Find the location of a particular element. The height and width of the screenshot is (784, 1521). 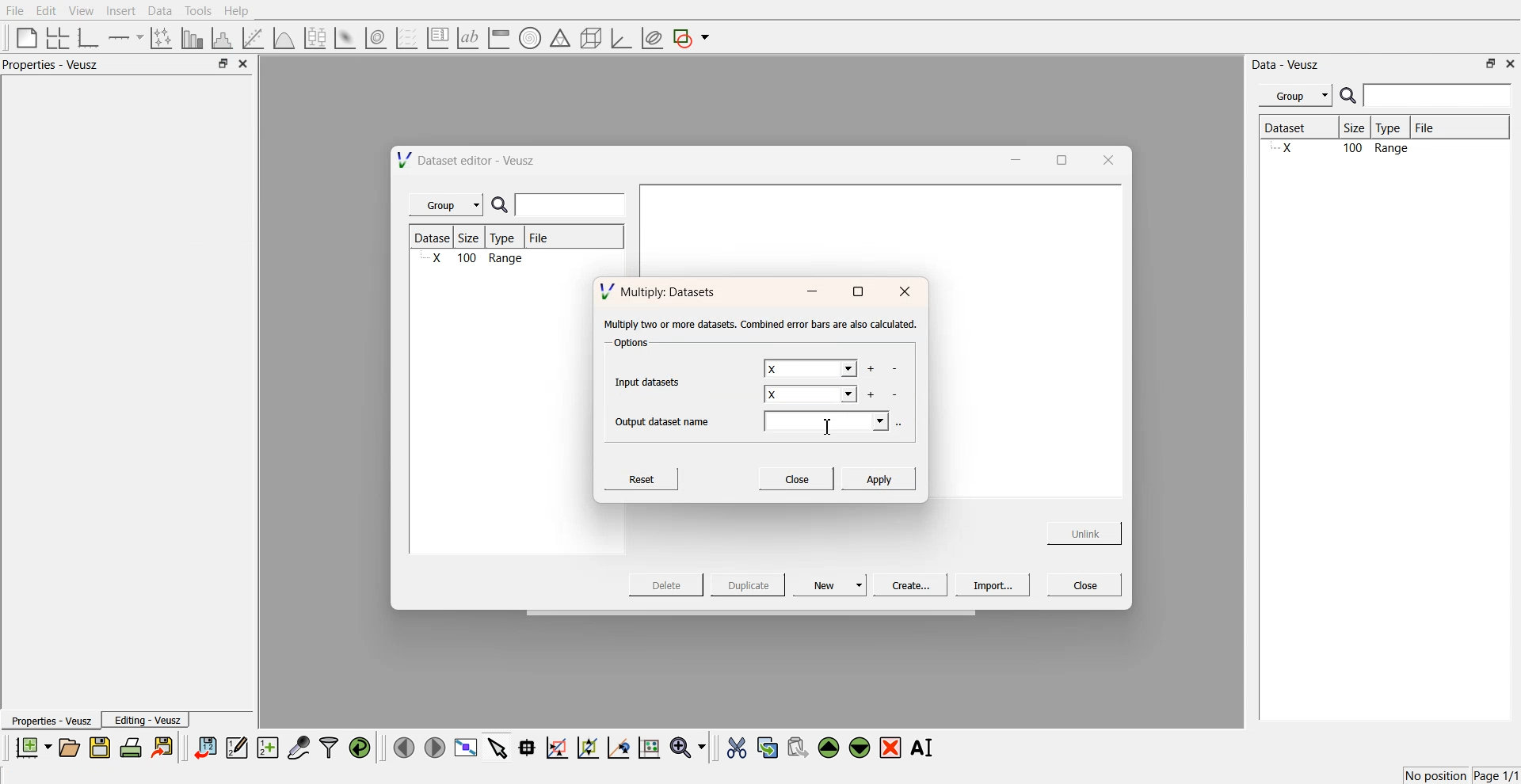

maximise is located at coordinates (857, 292).